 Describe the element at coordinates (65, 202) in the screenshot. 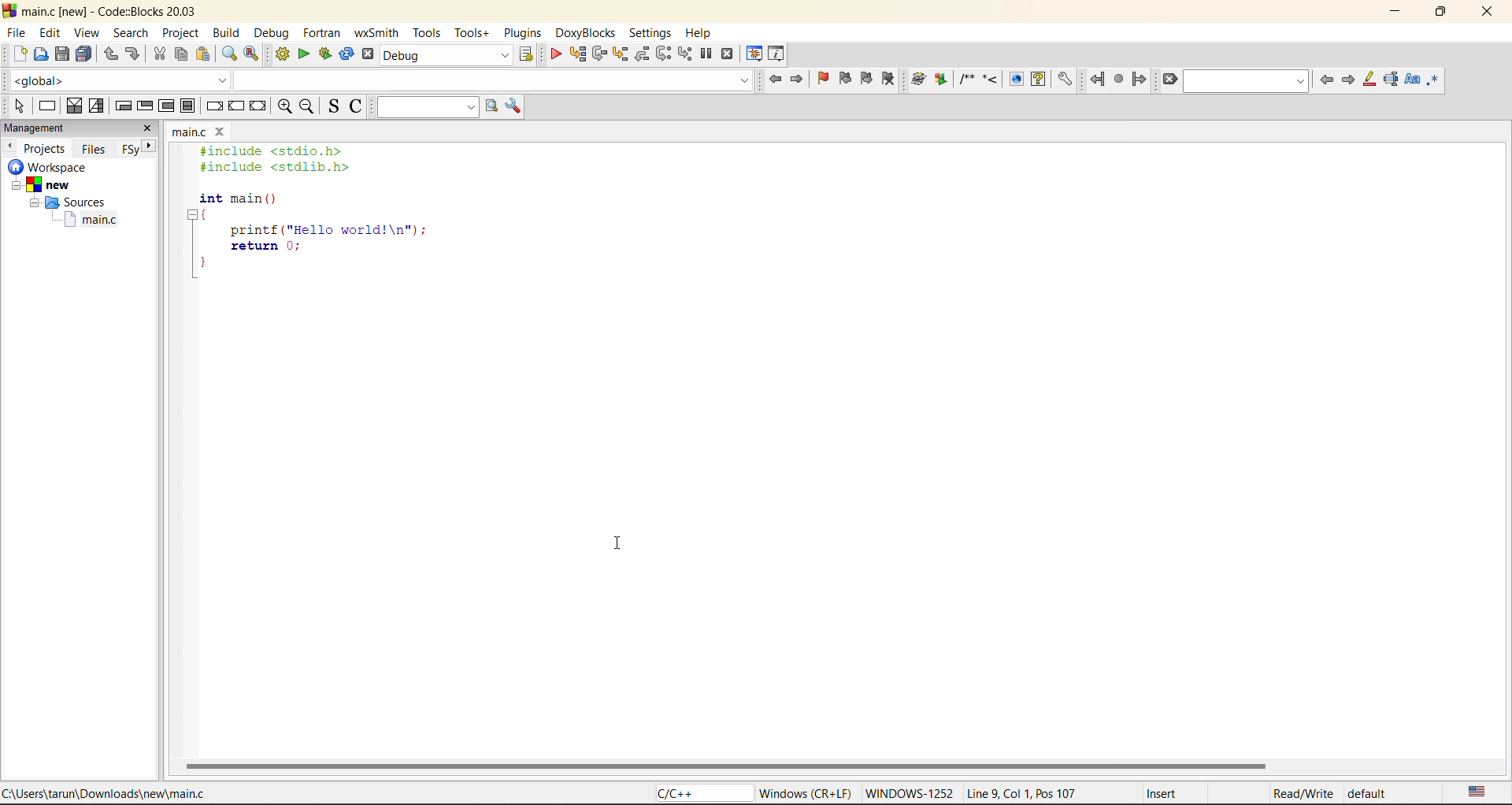

I see `Sources` at that location.